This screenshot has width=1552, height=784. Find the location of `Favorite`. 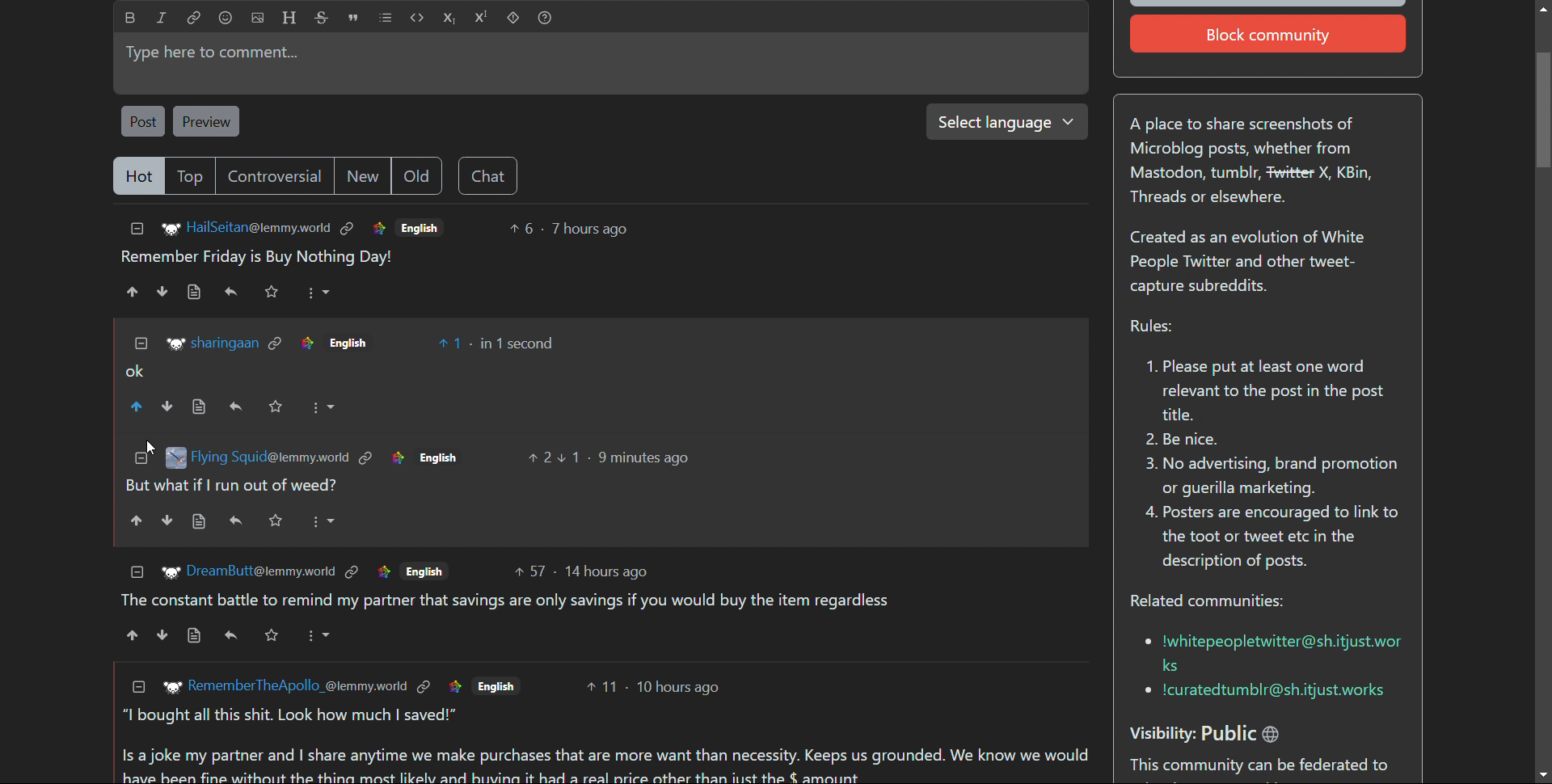

Favorite is located at coordinates (273, 291).